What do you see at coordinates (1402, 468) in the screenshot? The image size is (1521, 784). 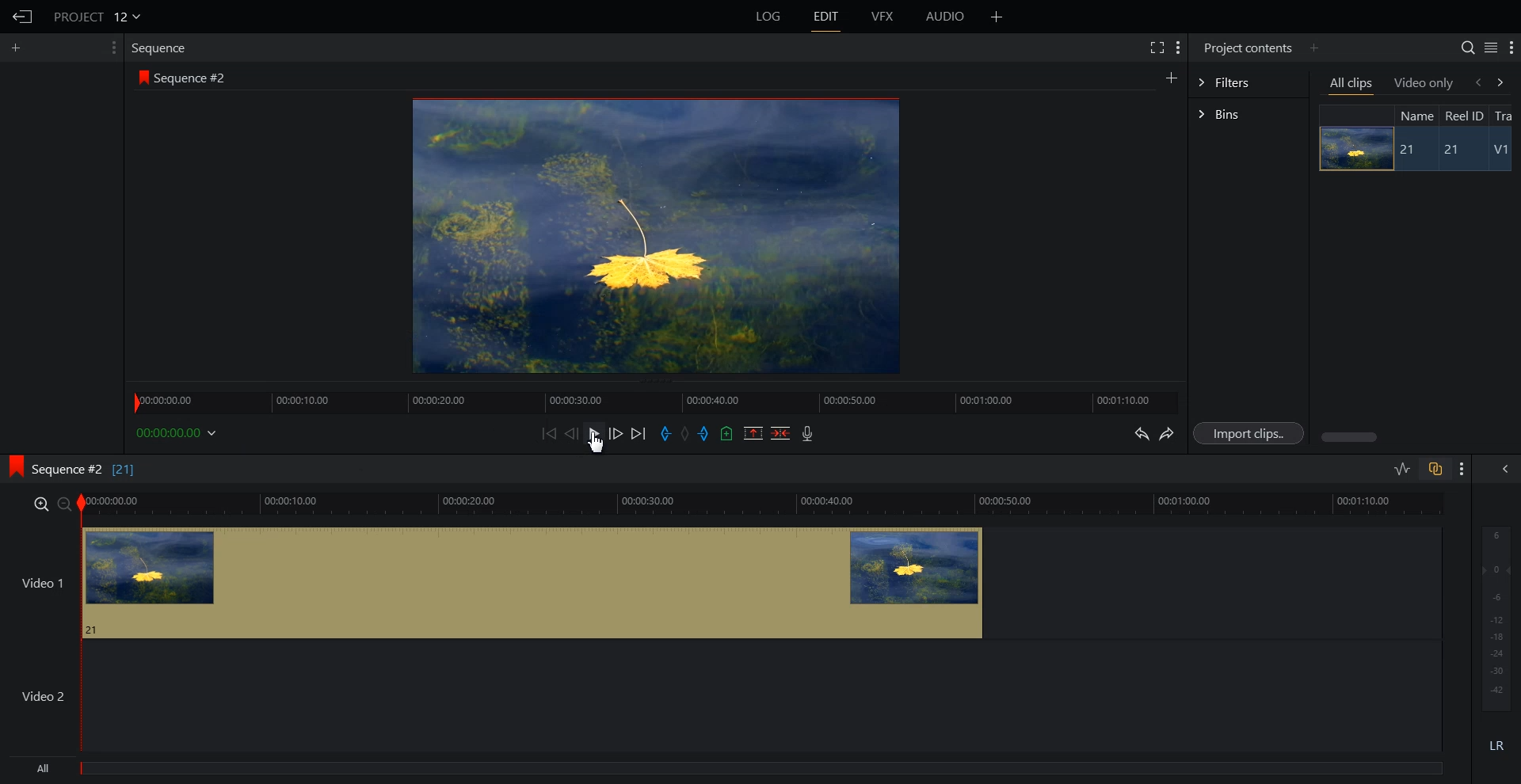 I see `Toggle audio level editing` at bounding box center [1402, 468].